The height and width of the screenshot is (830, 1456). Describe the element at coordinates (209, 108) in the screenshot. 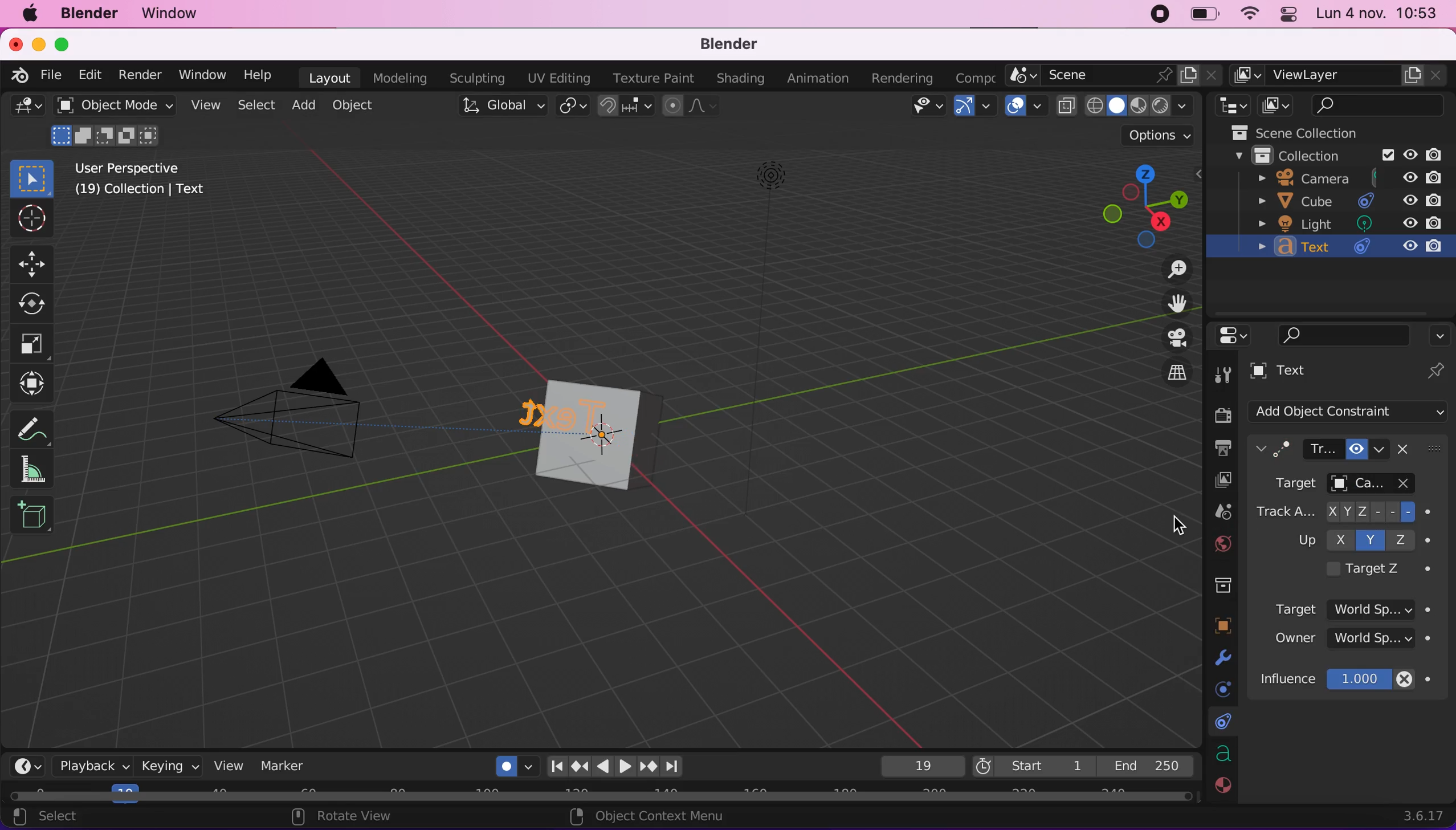

I see `view` at that location.